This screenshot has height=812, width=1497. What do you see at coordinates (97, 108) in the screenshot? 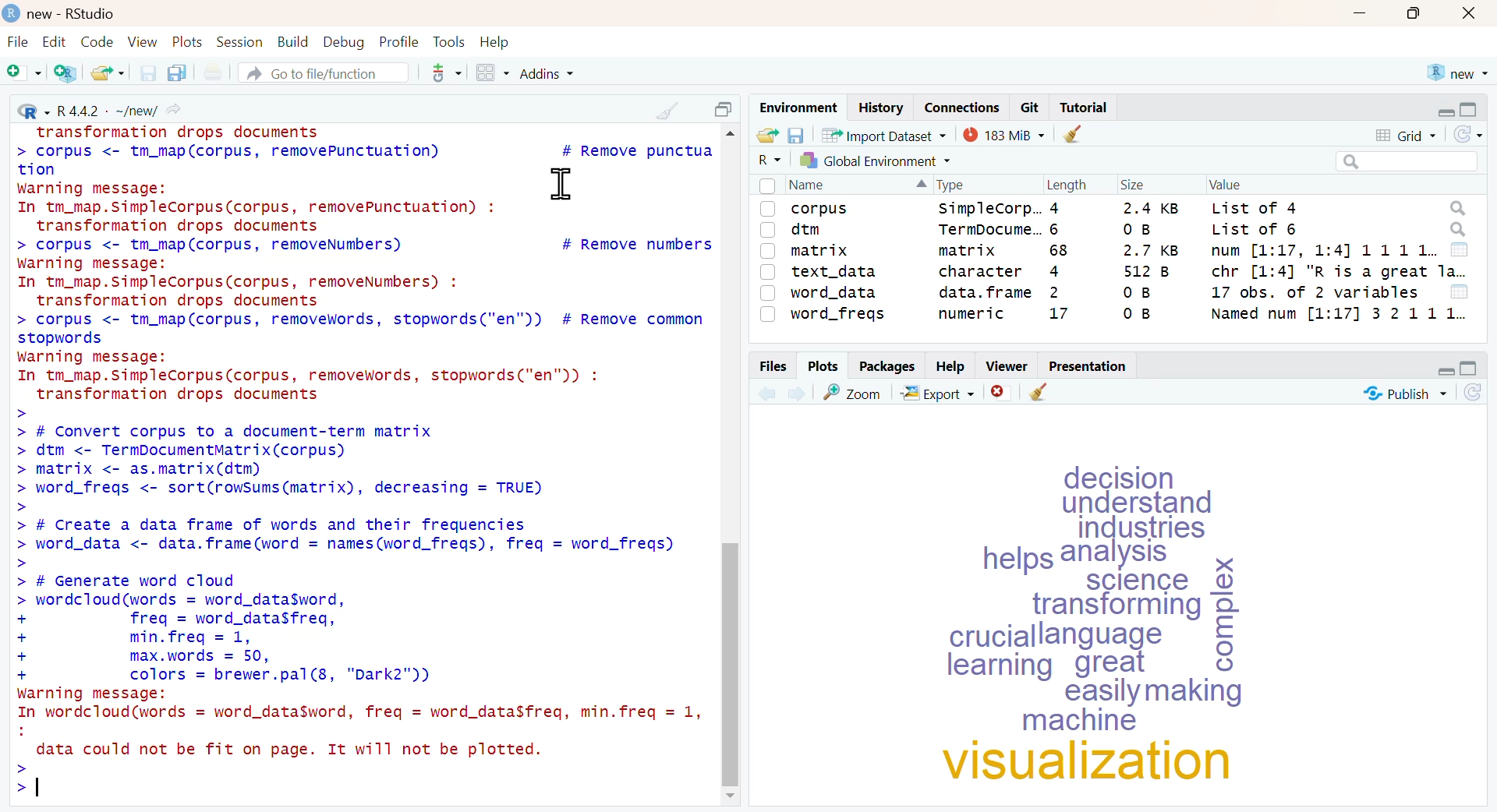
I see `R 4.4.2 - ~/new/` at bounding box center [97, 108].